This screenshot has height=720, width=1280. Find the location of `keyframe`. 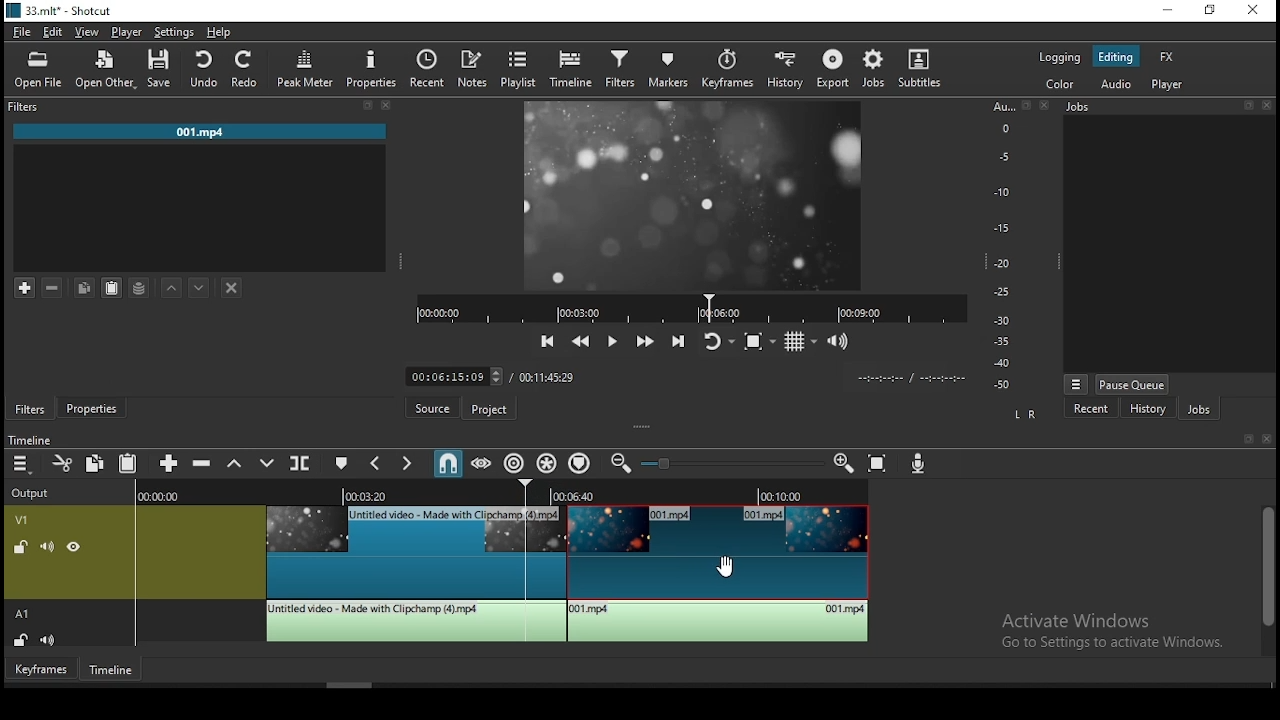

keyframe is located at coordinates (39, 671).